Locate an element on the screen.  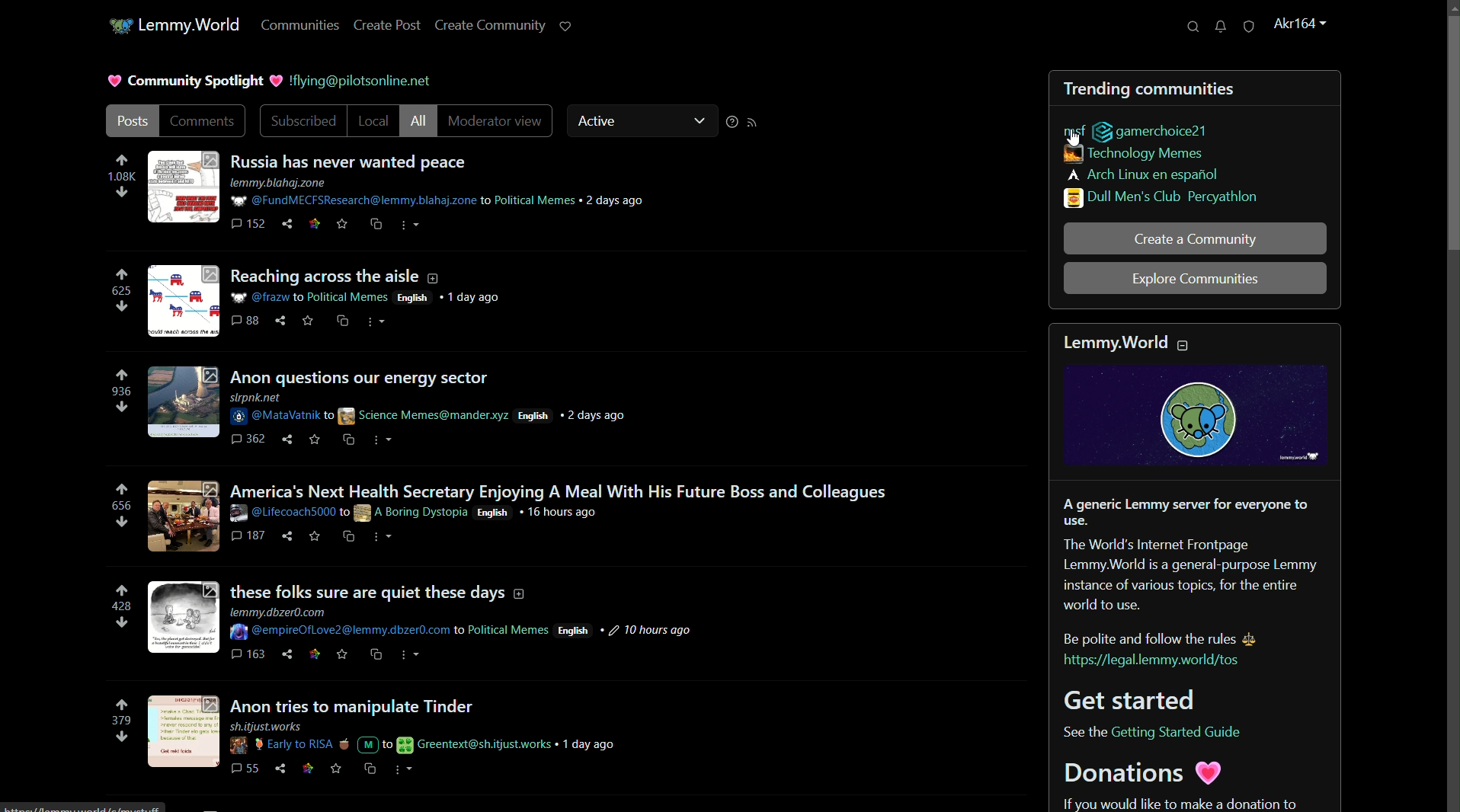
comments is located at coordinates (248, 654).